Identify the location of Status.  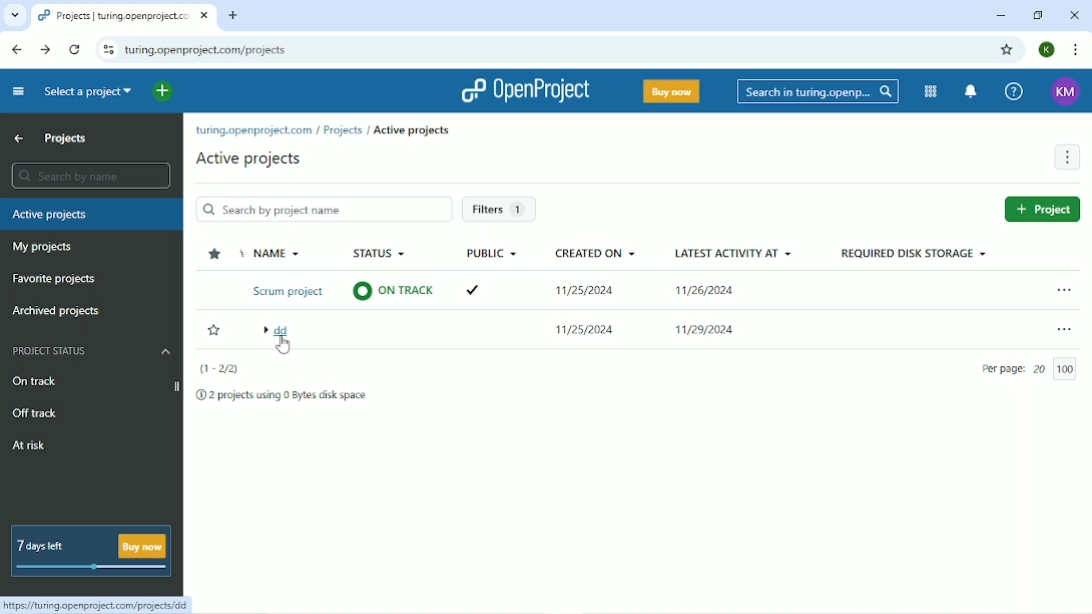
(384, 255).